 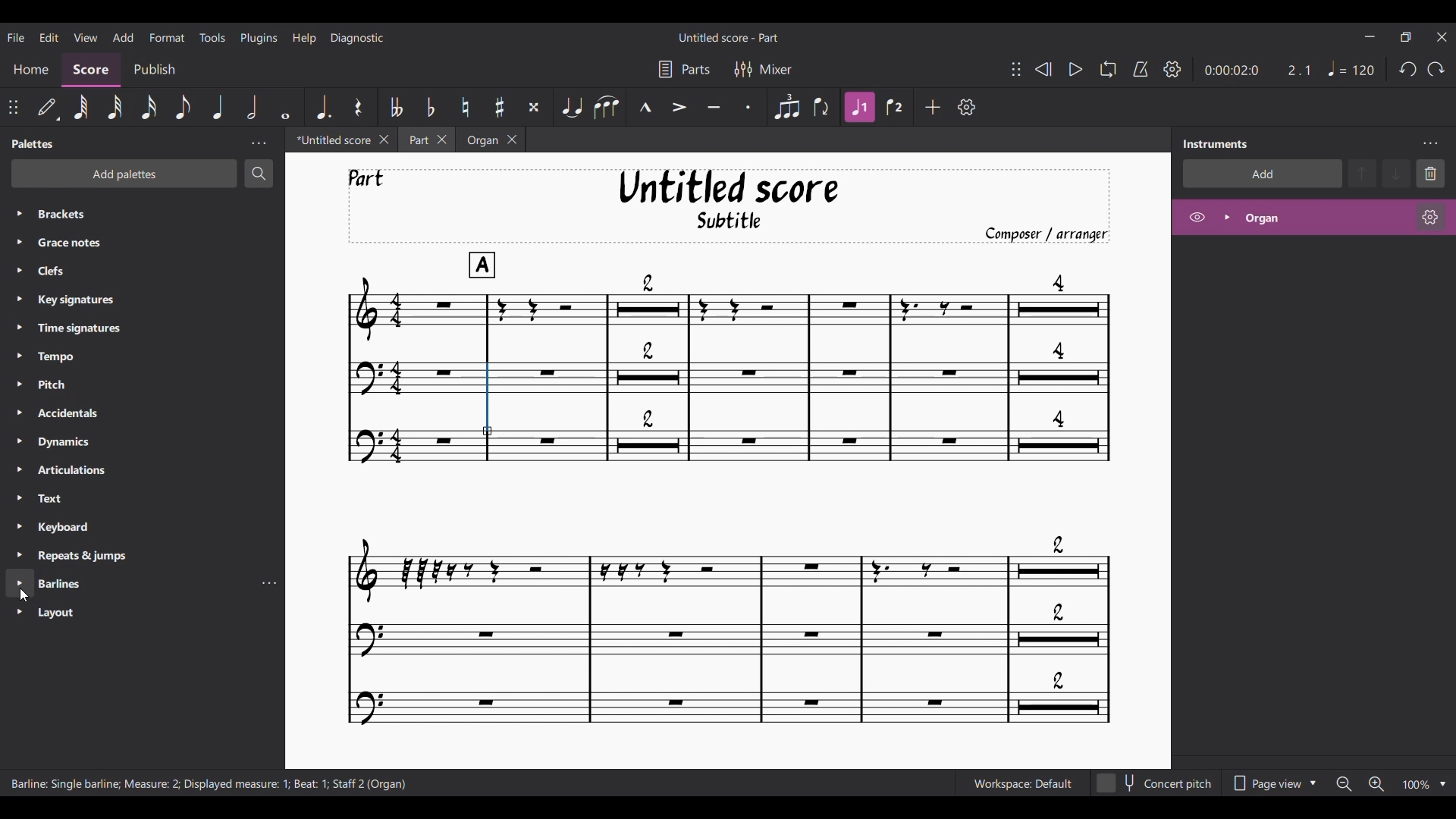 I want to click on 32nd note, so click(x=116, y=108).